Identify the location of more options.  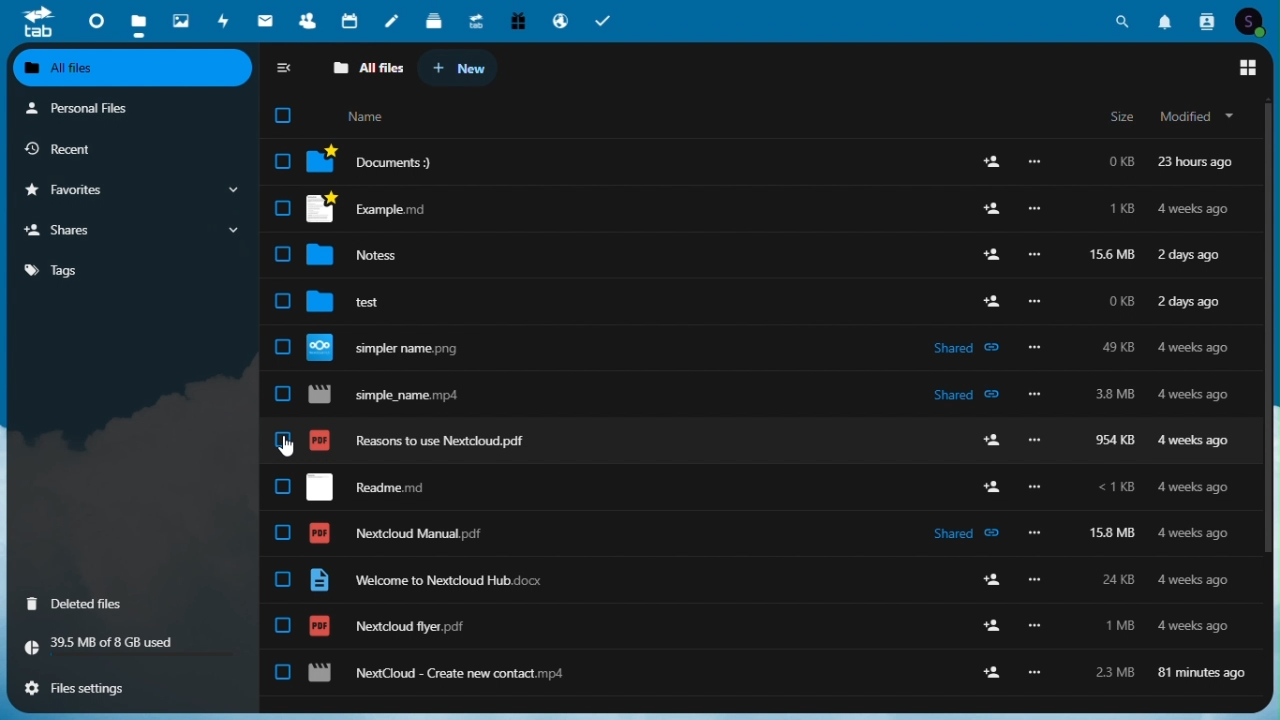
(1036, 162).